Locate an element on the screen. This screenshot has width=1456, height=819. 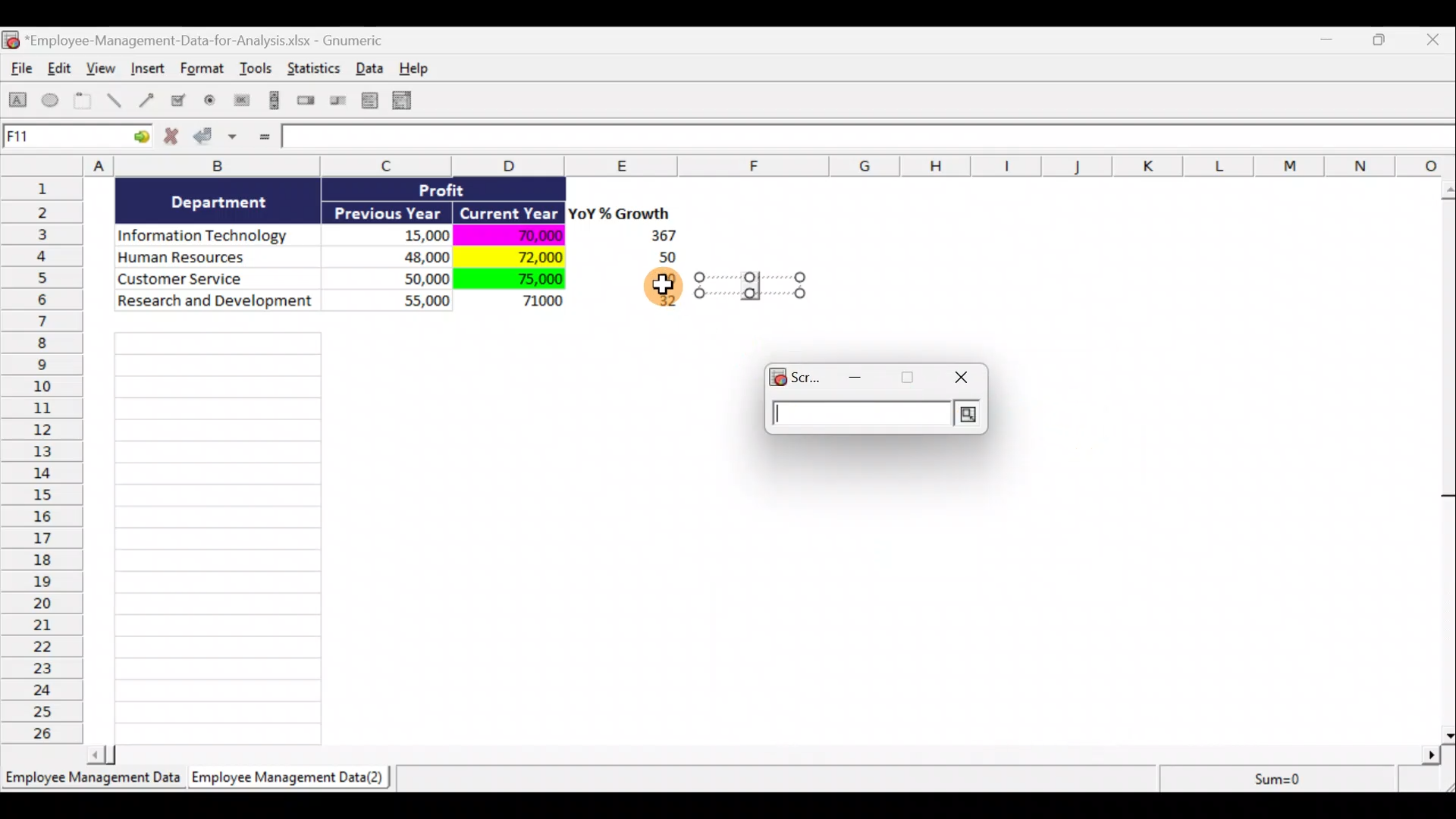
Create a spin button is located at coordinates (307, 102).